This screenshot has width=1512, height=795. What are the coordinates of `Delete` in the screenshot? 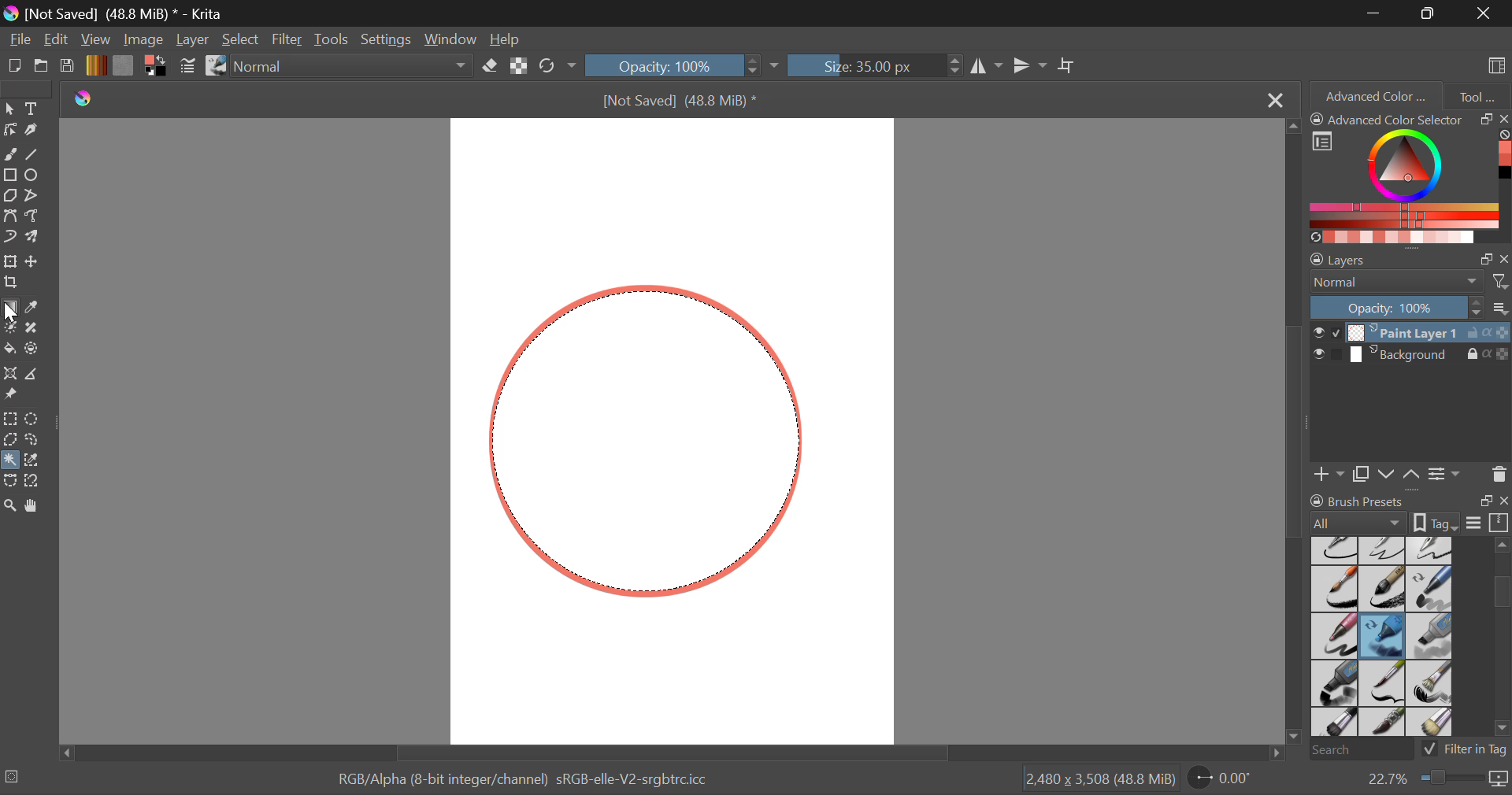 It's located at (1499, 474).